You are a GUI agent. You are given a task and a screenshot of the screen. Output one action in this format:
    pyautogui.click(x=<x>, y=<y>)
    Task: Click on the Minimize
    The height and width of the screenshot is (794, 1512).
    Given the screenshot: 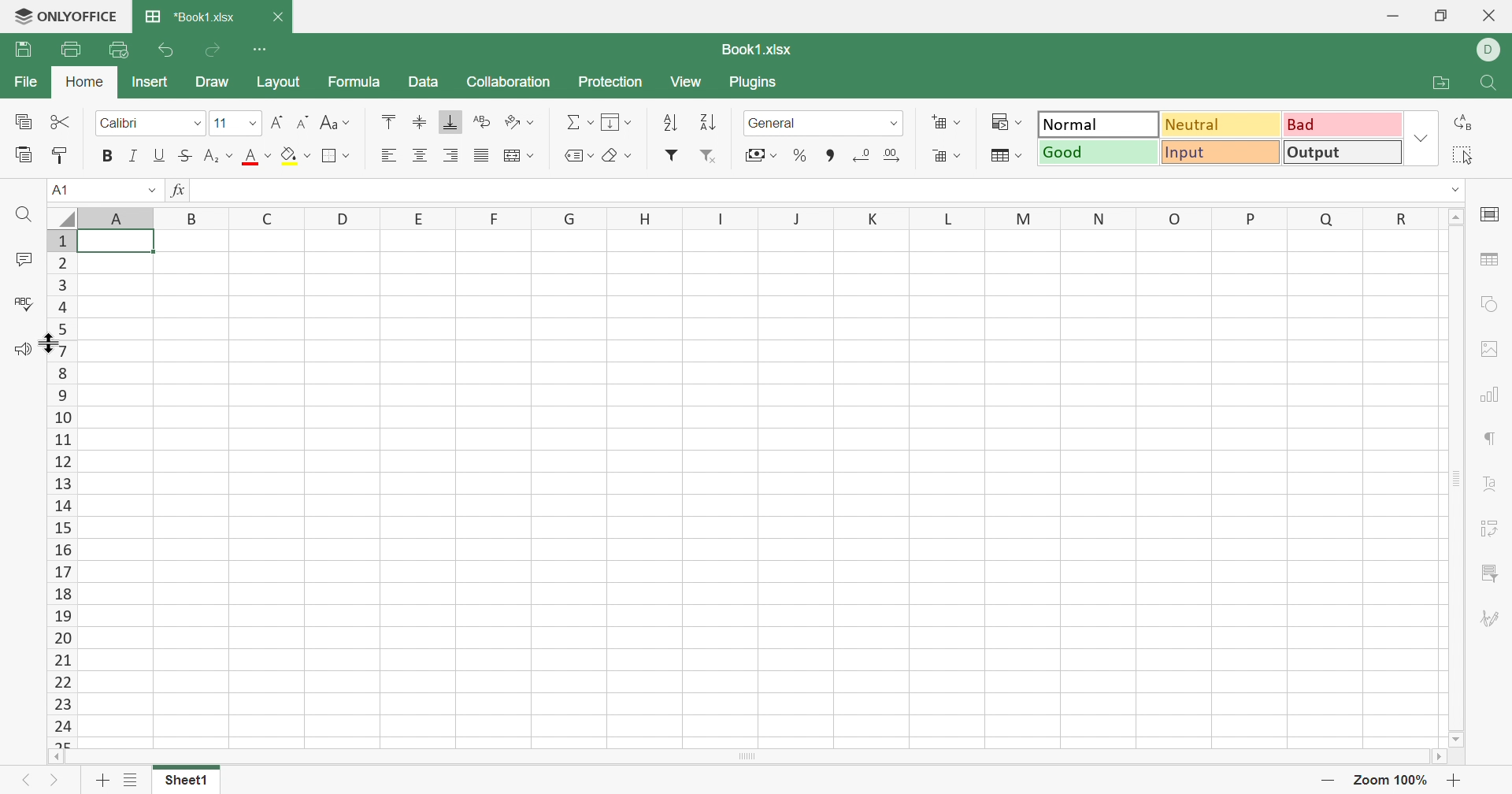 What is the action you would take?
    pyautogui.click(x=1393, y=14)
    